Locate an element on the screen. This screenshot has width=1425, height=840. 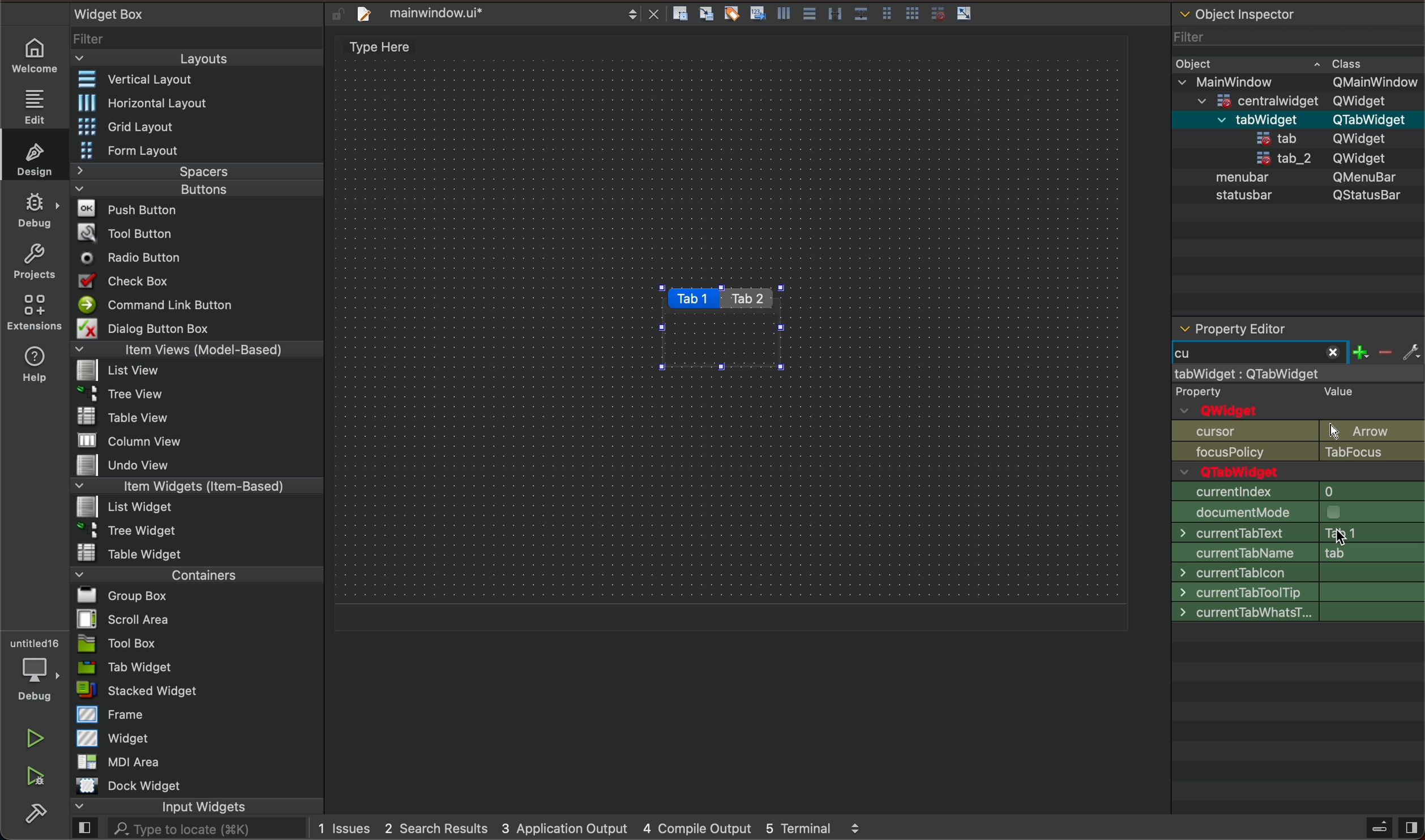
tracking is located at coordinates (1296, 694).